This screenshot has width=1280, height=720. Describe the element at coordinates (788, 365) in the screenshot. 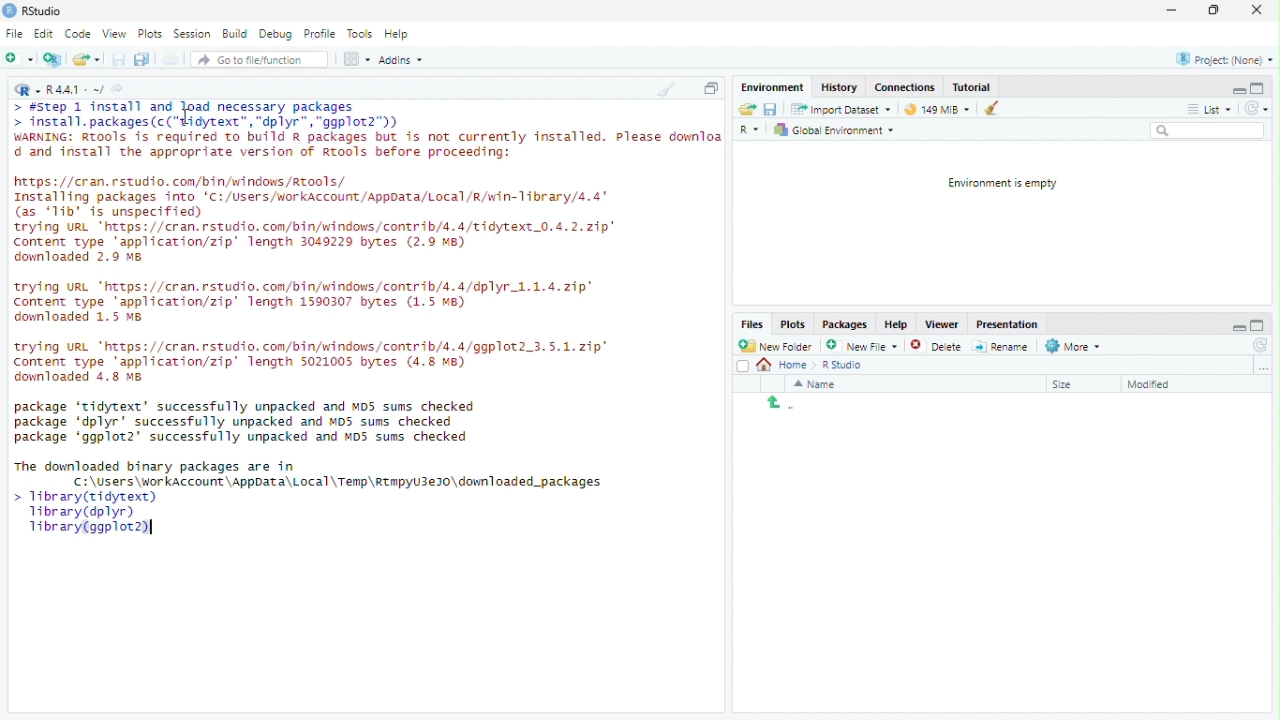

I see `Home` at that location.